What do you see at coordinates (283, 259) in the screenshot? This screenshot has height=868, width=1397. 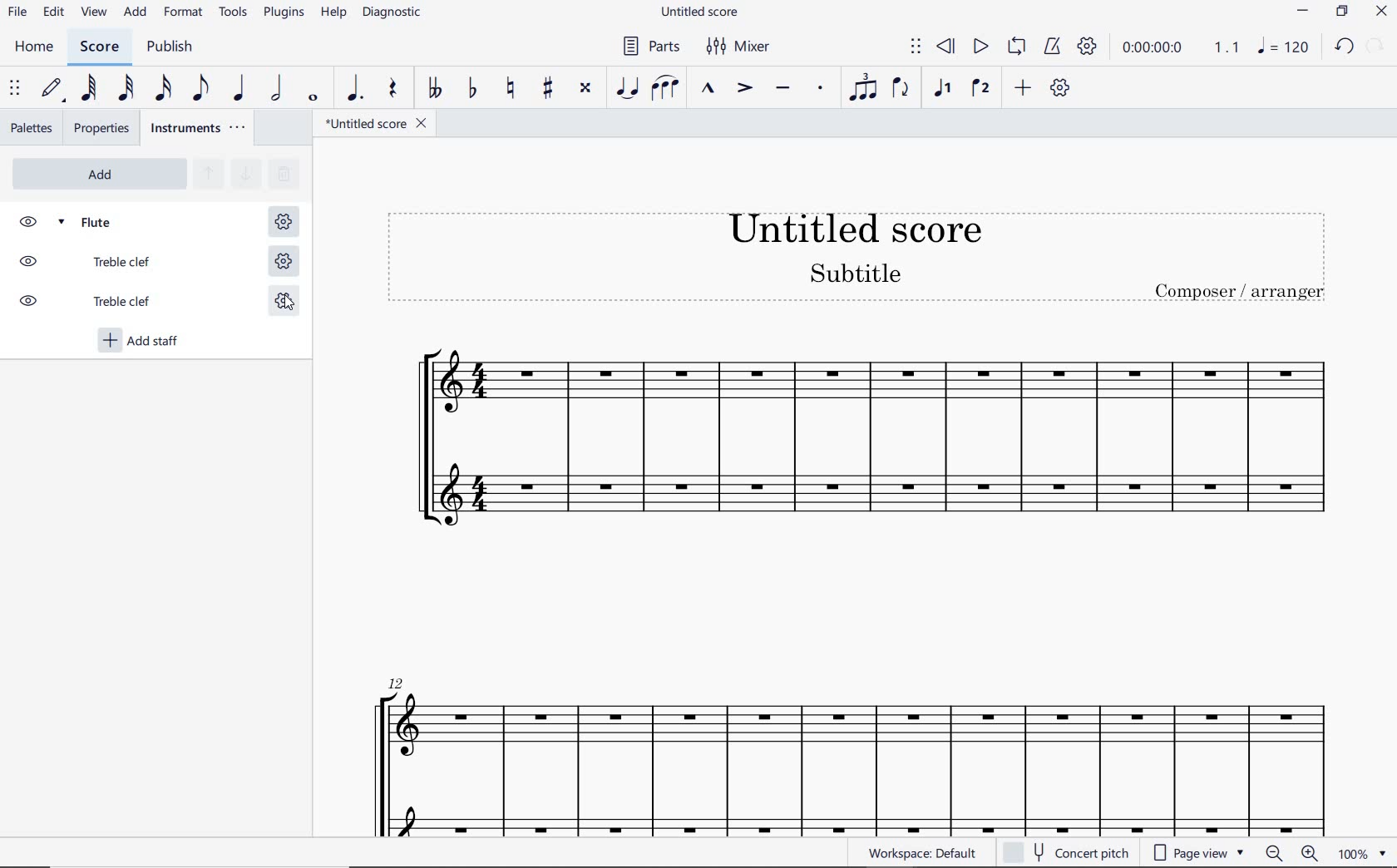 I see `STAFF SETTING` at bounding box center [283, 259].